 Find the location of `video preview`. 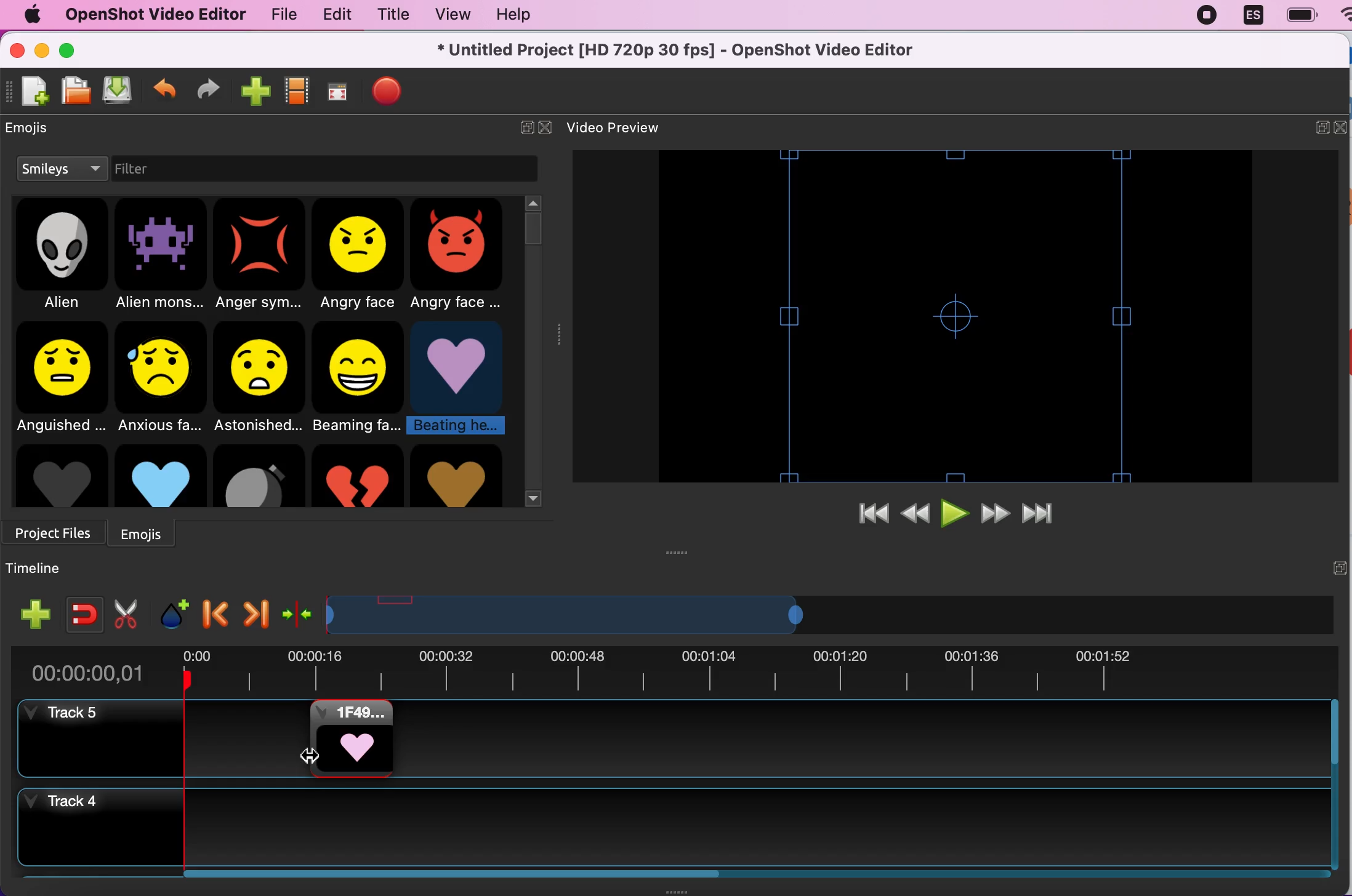

video preview is located at coordinates (631, 127).